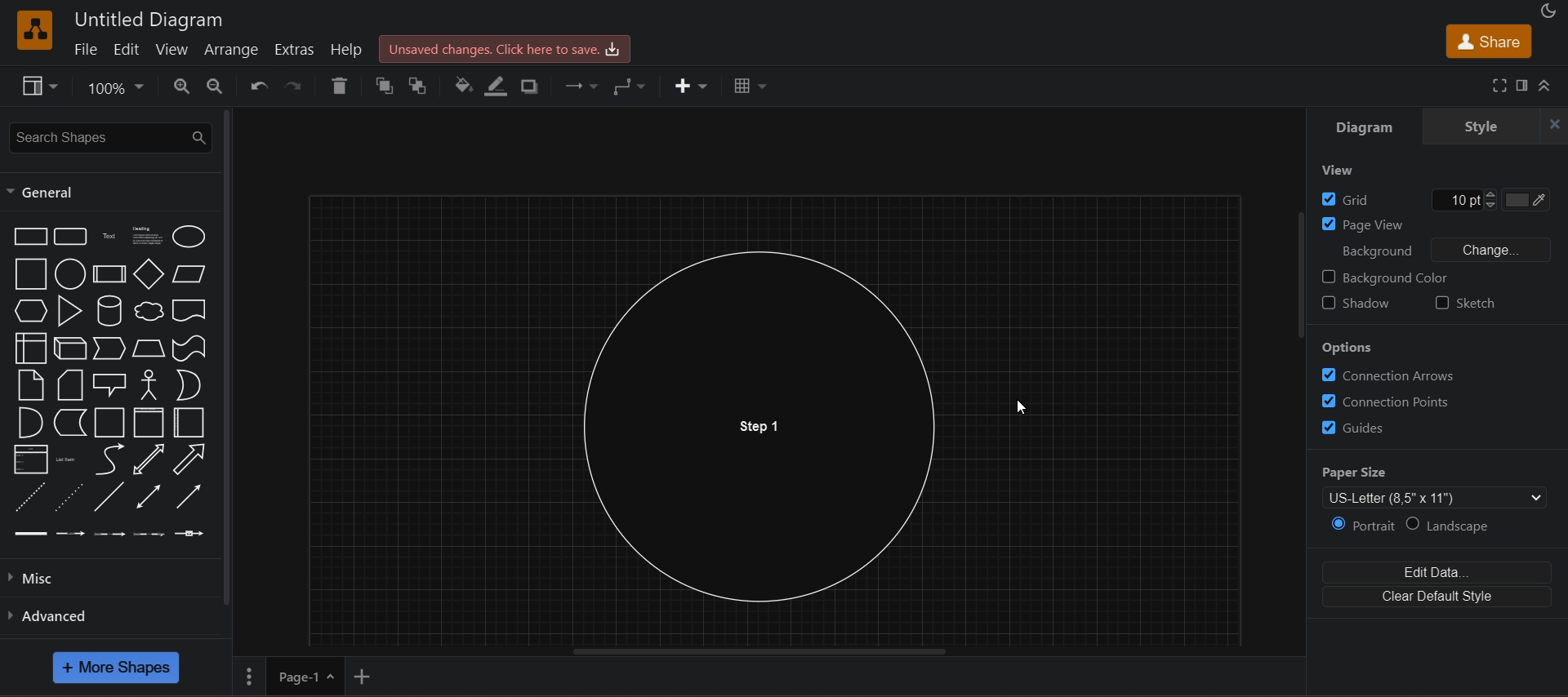 The height and width of the screenshot is (697, 1568). Describe the element at coordinates (47, 87) in the screenshot. I see `style` at that location.